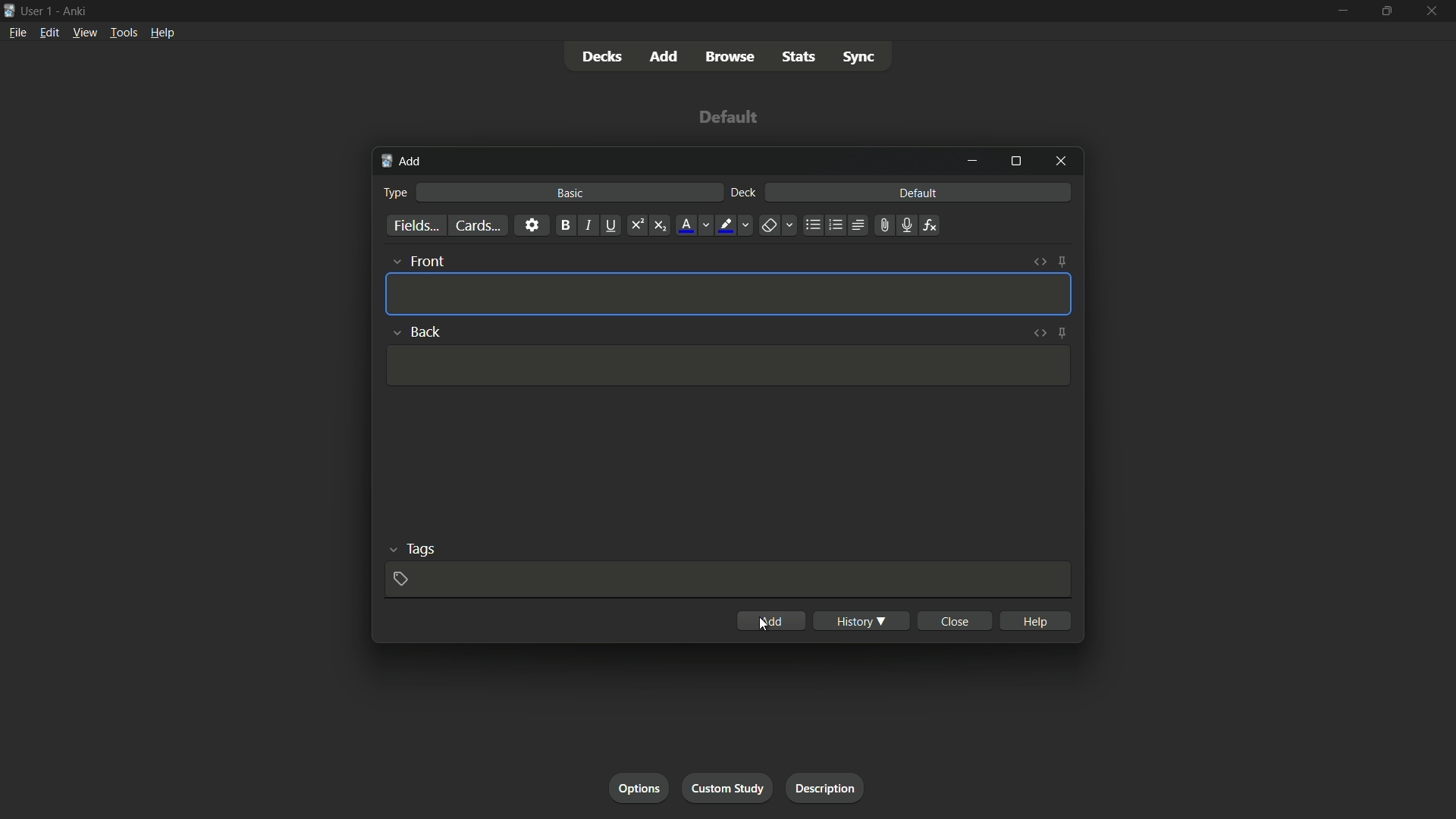 This screenshot has height=819, width=1456. Describe the element at coordinates (1430, 11) in the screenshot. I see `close` at that location.